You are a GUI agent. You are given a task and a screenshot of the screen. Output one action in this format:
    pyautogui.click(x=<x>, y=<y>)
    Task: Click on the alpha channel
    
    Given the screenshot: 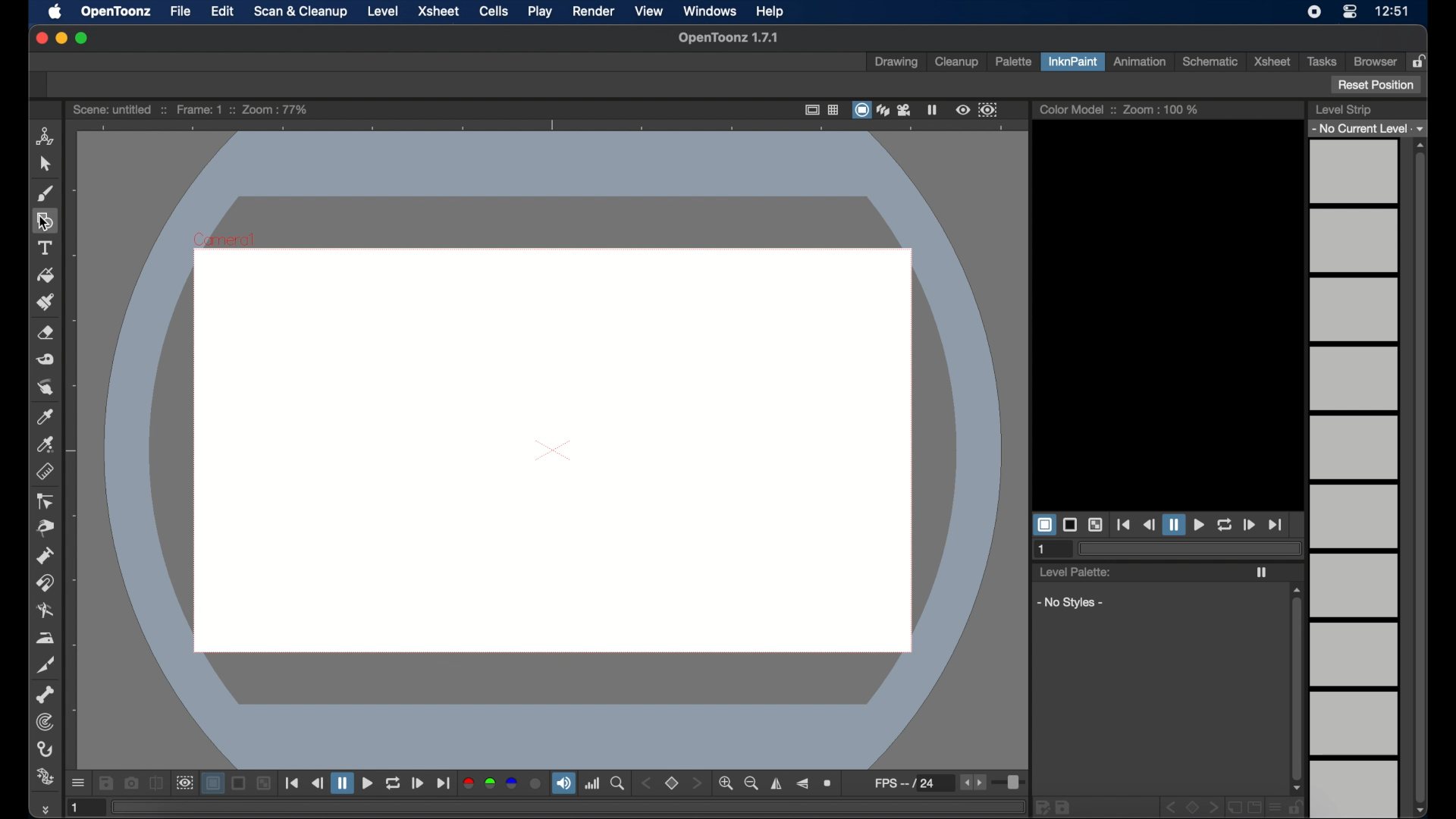 What is the action you would take?
    pyautogui.click(x=536, y=783)
    